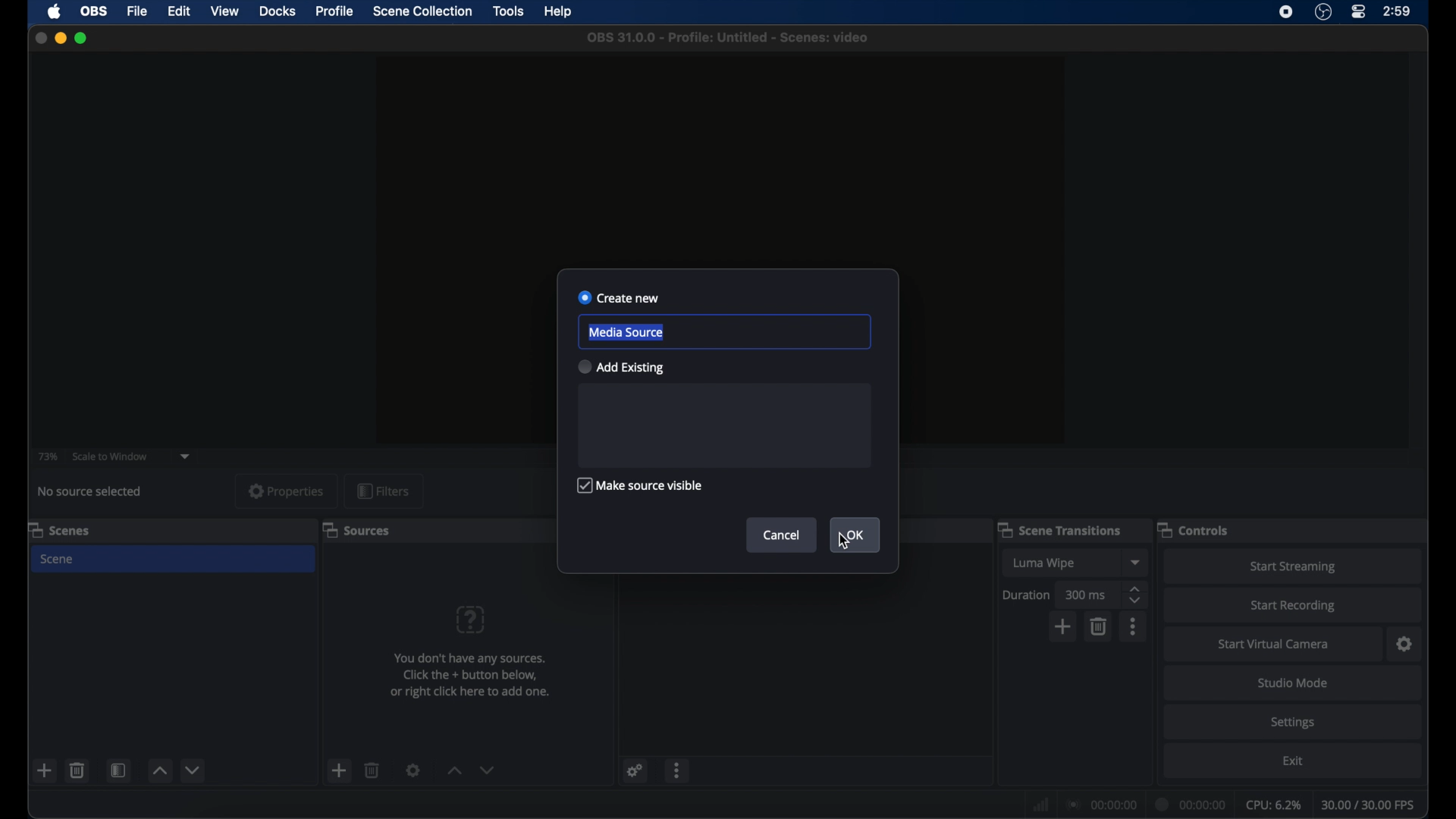 The width and height of the screenshot is (1456, 819). Describe the element at coordinates (509, 11) in the screenshot. I see `tools` at that location.